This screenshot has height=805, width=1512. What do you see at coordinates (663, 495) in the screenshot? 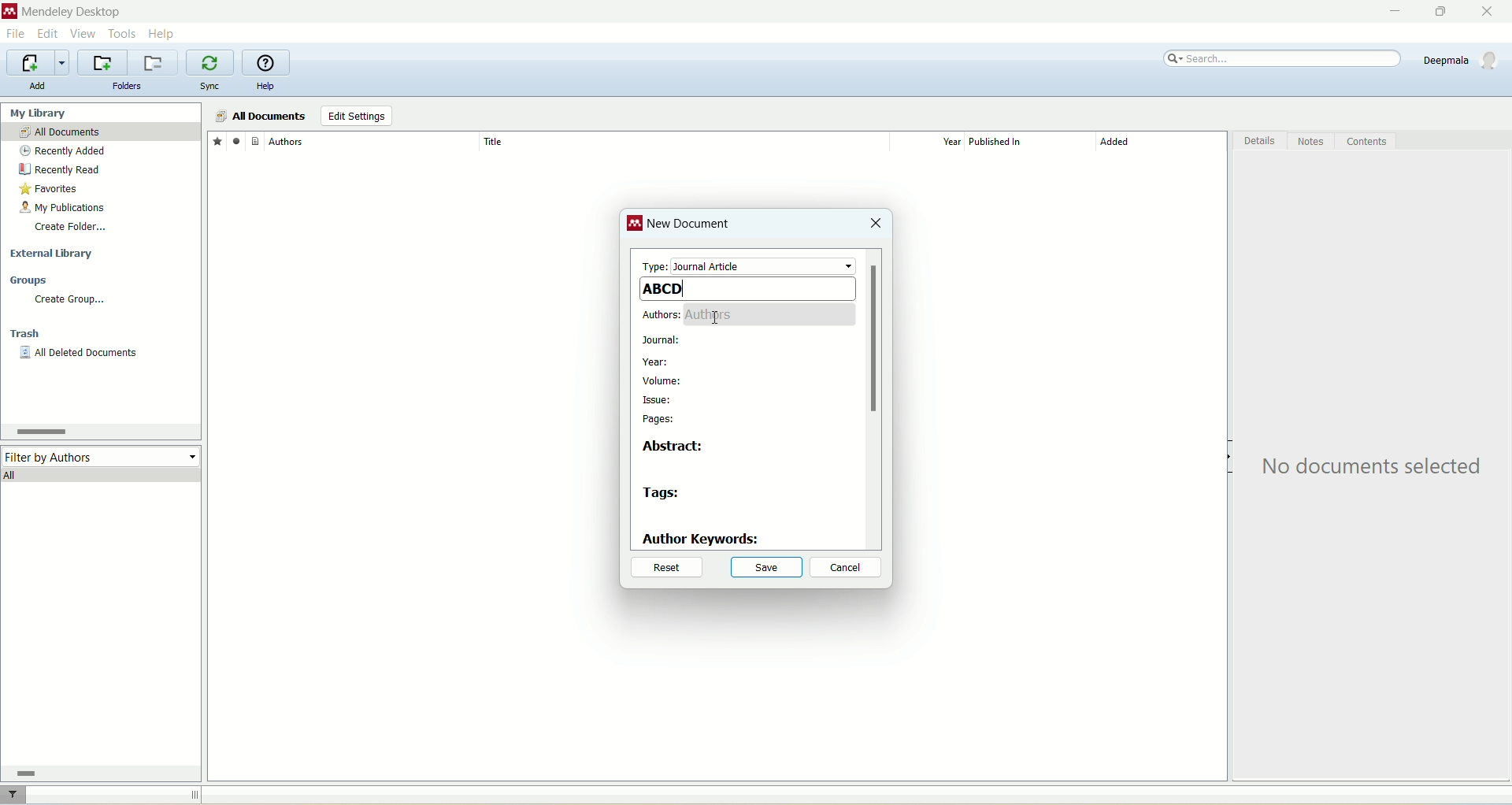
I see `tags` at bounding box center [663, 495].